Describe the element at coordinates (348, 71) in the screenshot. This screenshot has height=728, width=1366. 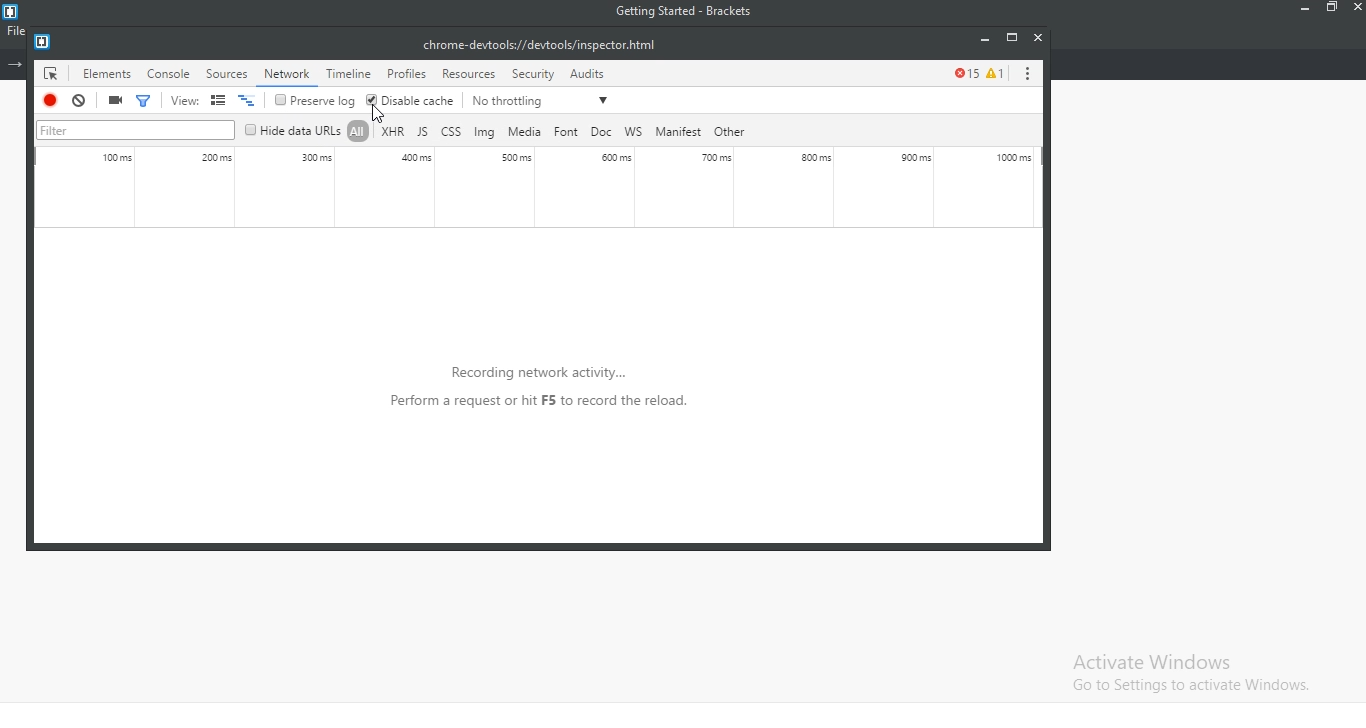
I see `timeline` at that location.